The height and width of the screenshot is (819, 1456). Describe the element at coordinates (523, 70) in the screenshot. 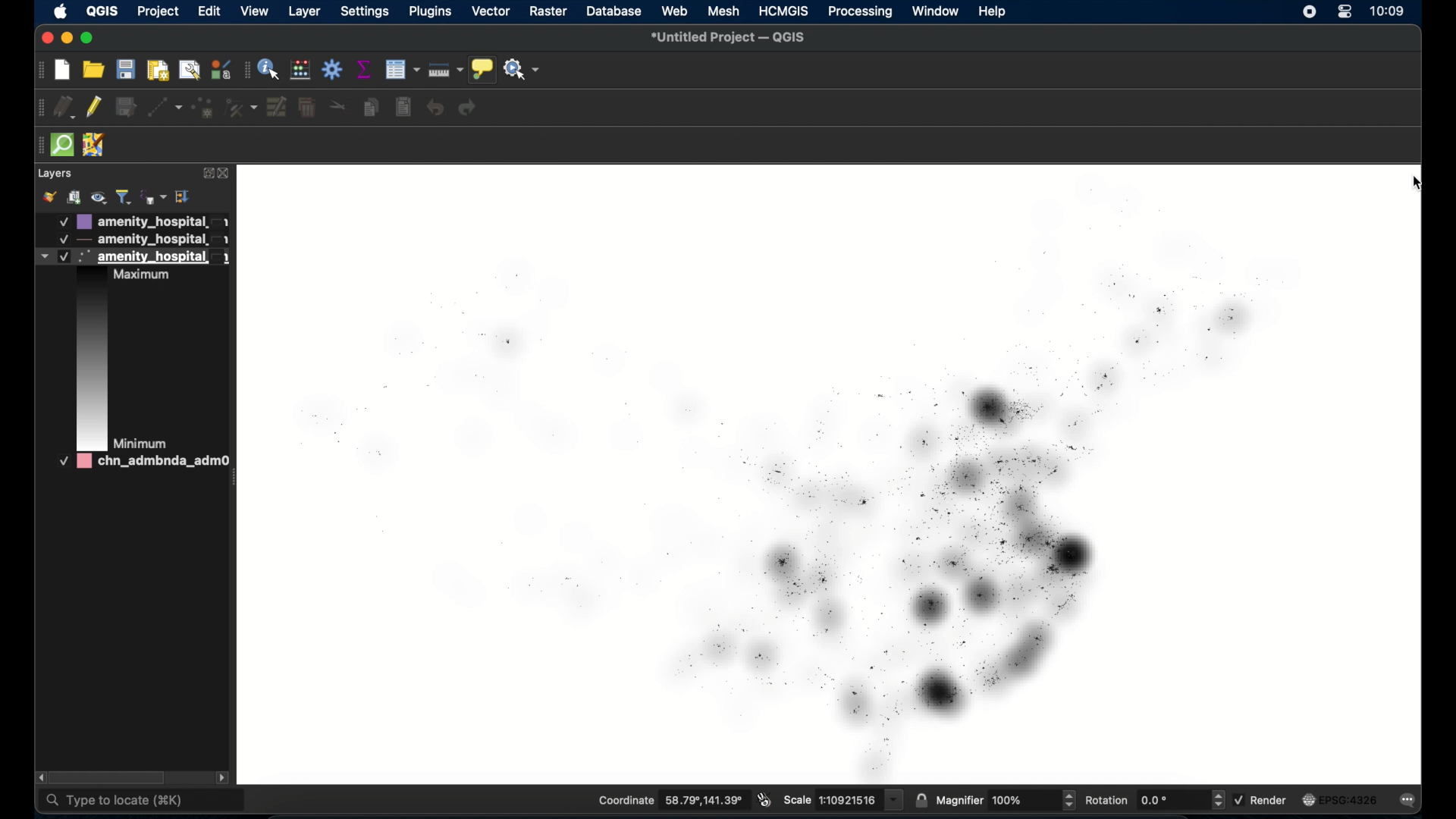

I see `no action selected` at that location.